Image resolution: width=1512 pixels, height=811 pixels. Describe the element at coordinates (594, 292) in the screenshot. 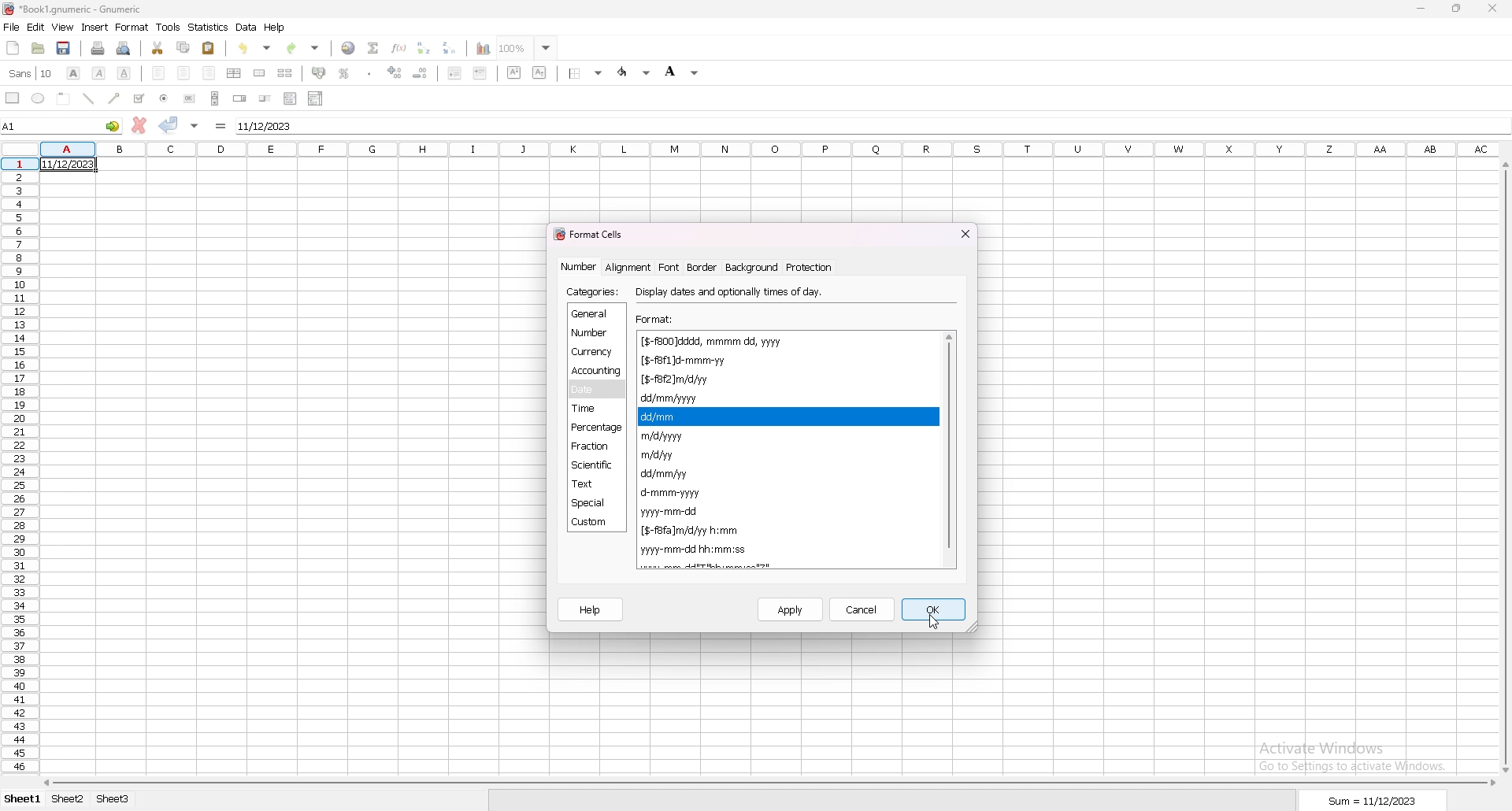

I see `categories` at that location.